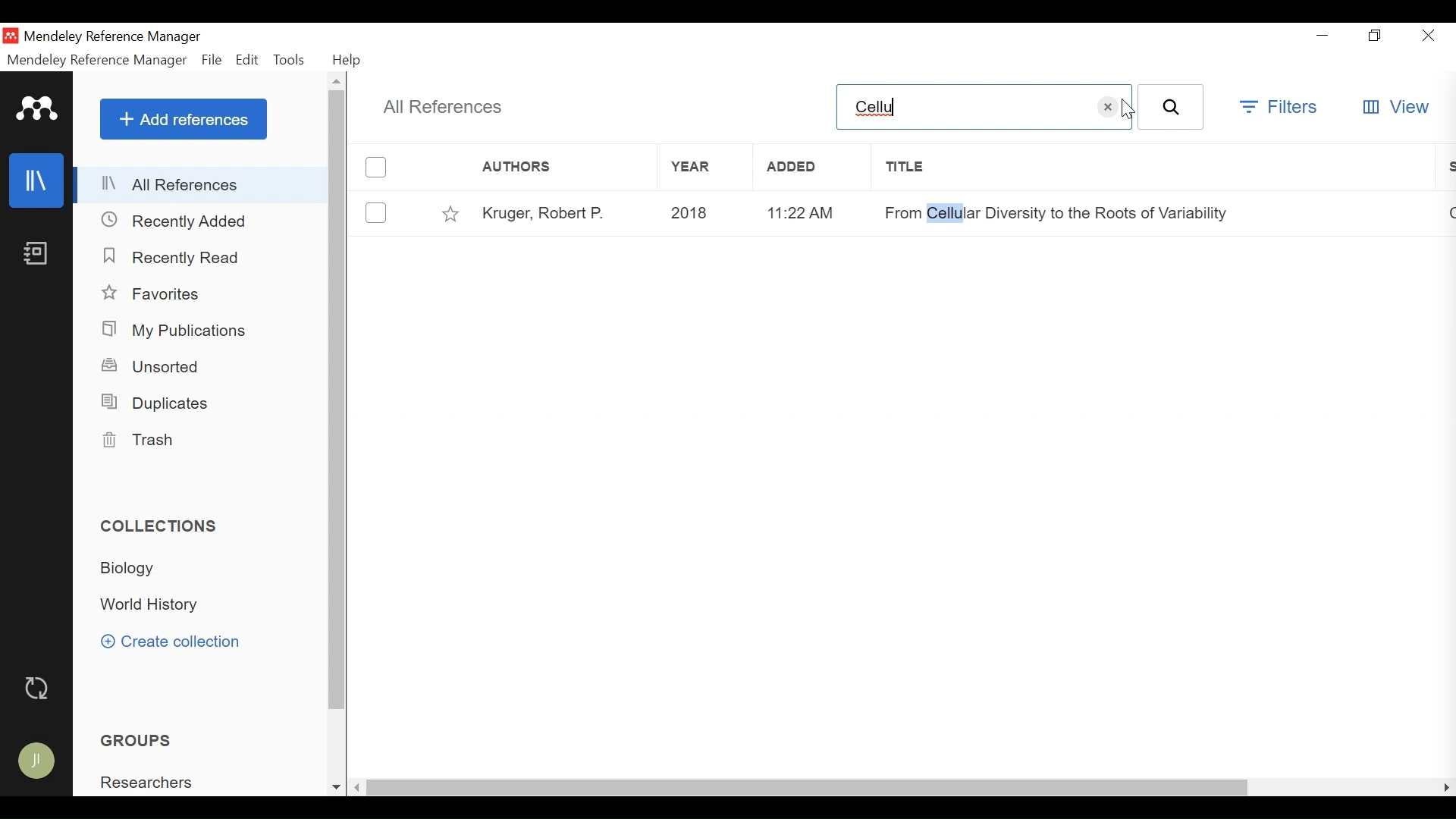 This screenshot has height=819, width=1456. What do you see at coordinates (152, 367) in the screenshot?
I see `Unsorted` at bounding box center [152, 367].